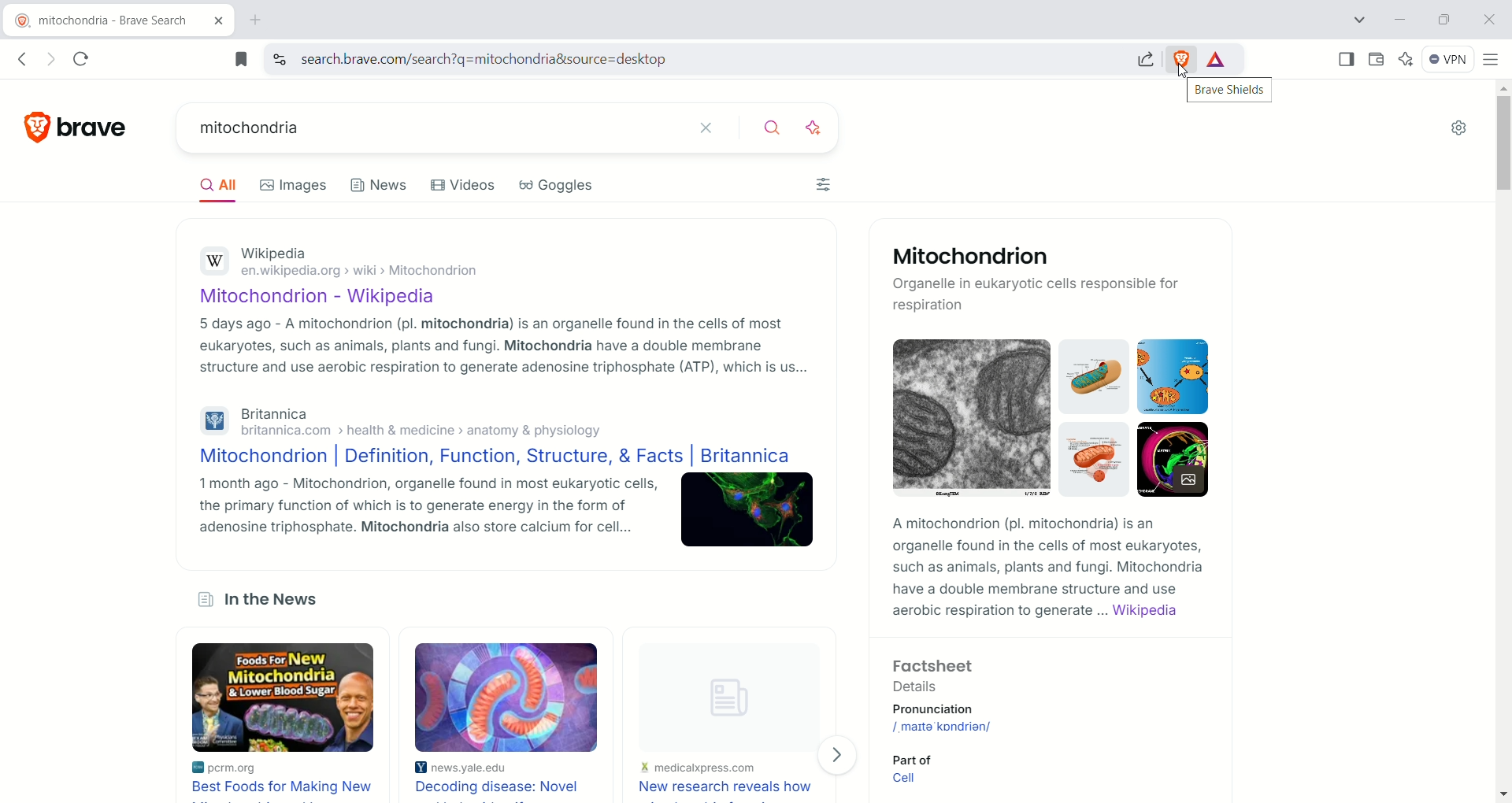 The height and width of the screenshot is (803, 1512). Describe the element at coordinates (1044, 557) in the screenshot. I see `A mitochondrion (pl. mitochondria) is an
organelle found in the cells of most eukaryotes,
such as animals, plants and fungi. Mitochondria
have a double membrane structure and use` at that location.